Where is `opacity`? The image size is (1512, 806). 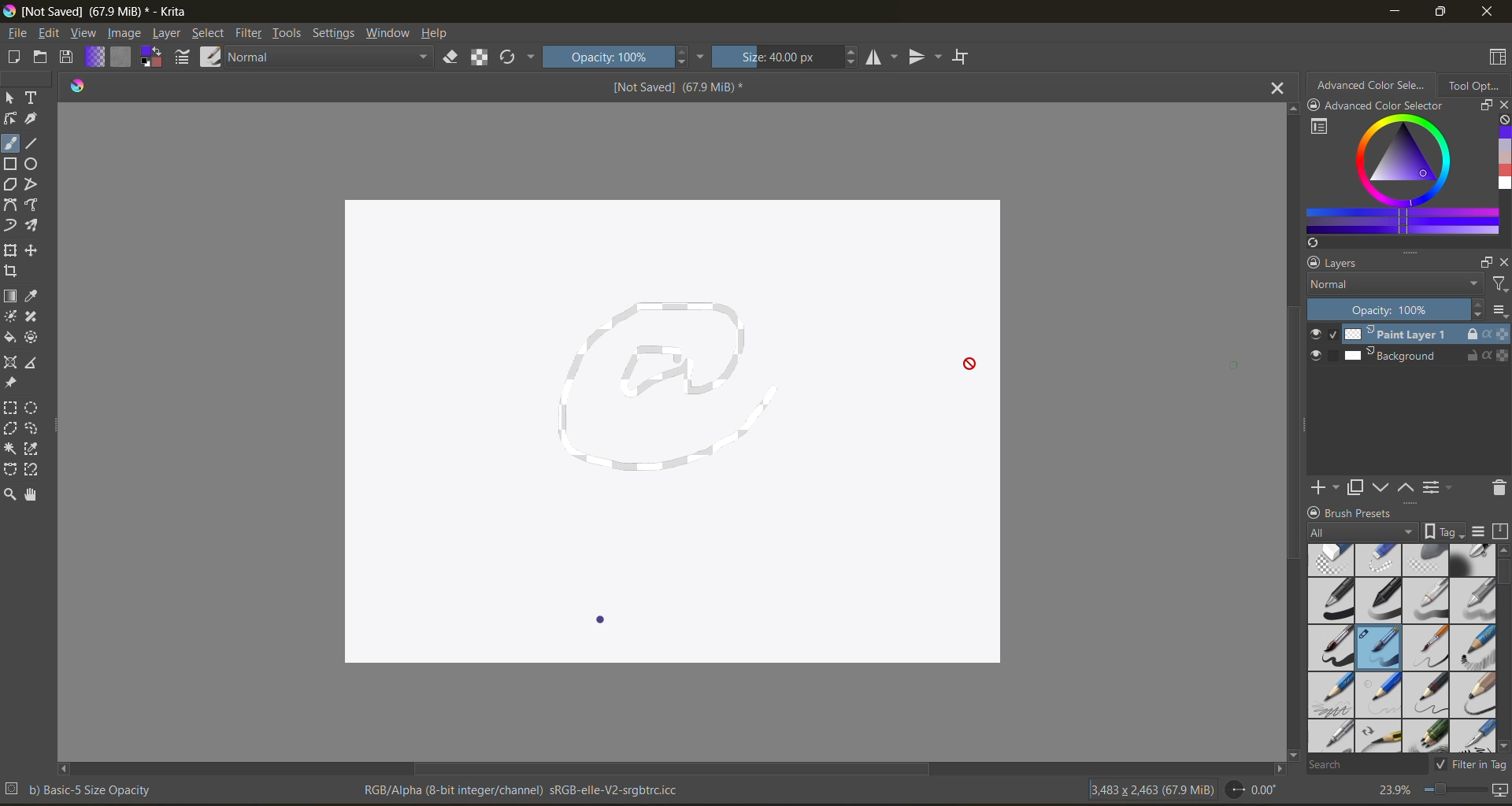 opacity is located at coordinates (606, 57).